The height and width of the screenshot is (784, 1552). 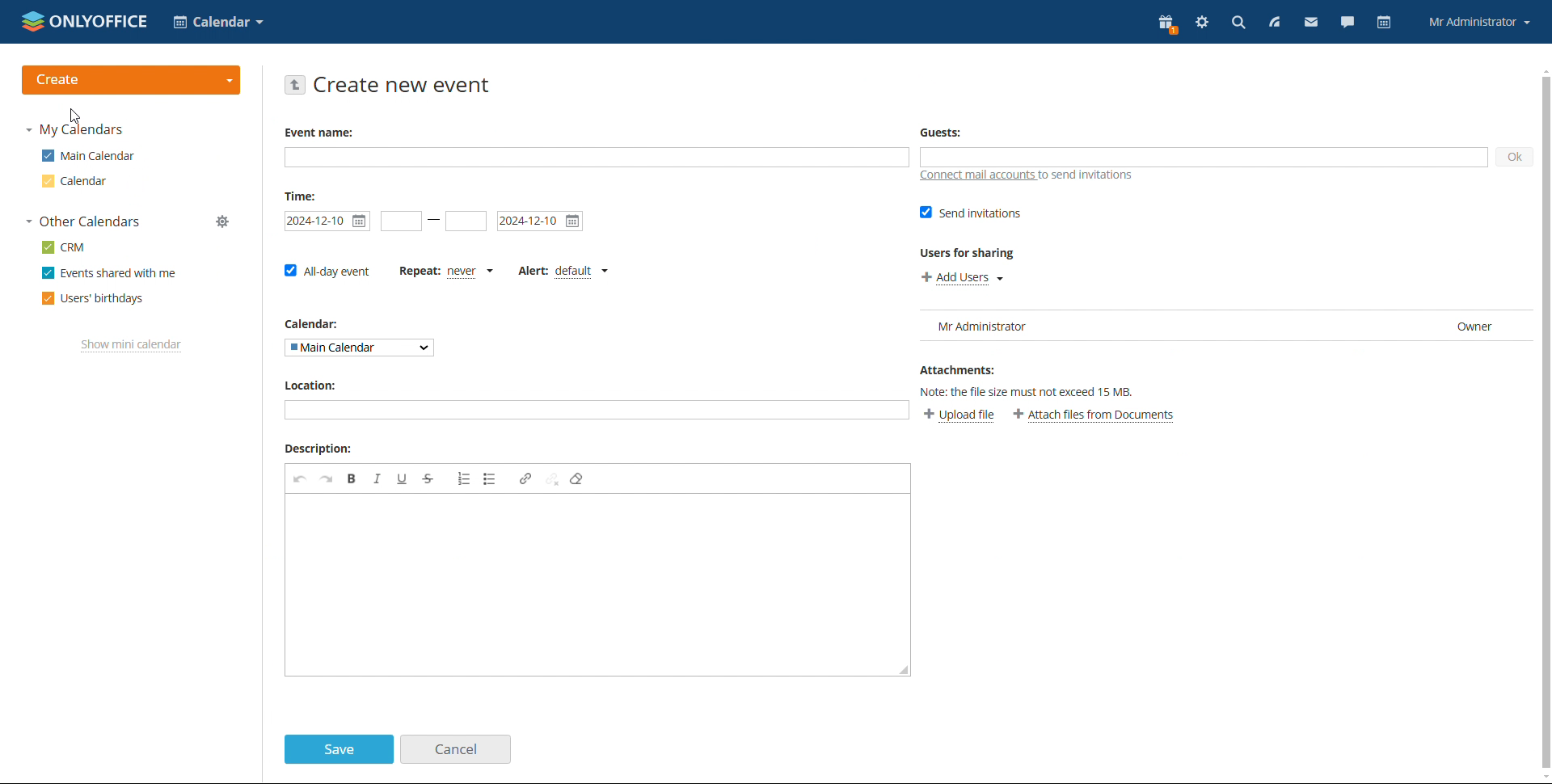 What do you see at coordinates (541, 221) in the screenshot?
I see `end date` at bounding box center [541, 221].